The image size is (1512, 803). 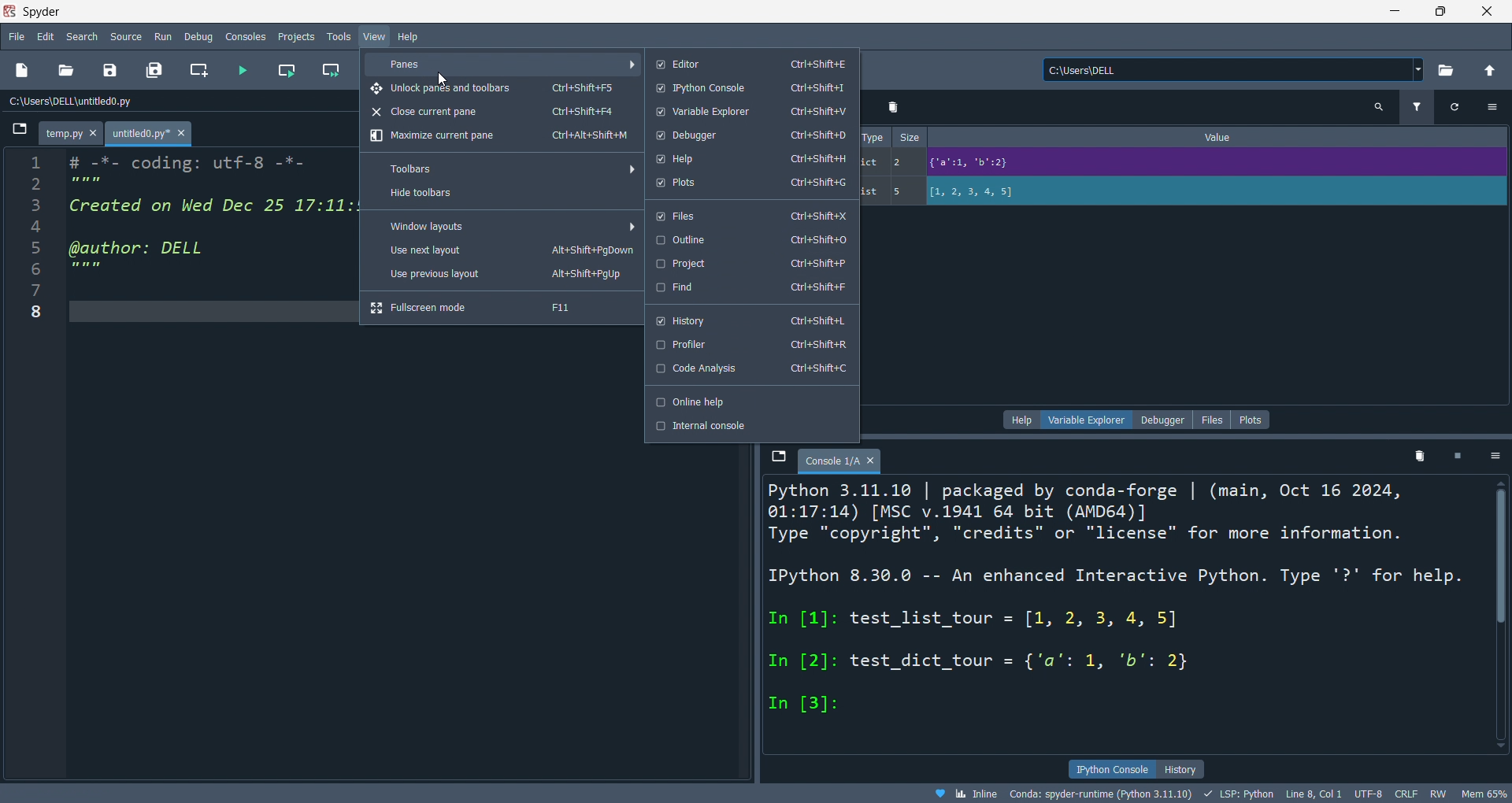 I want to click on save, so click(x=115, y=68).